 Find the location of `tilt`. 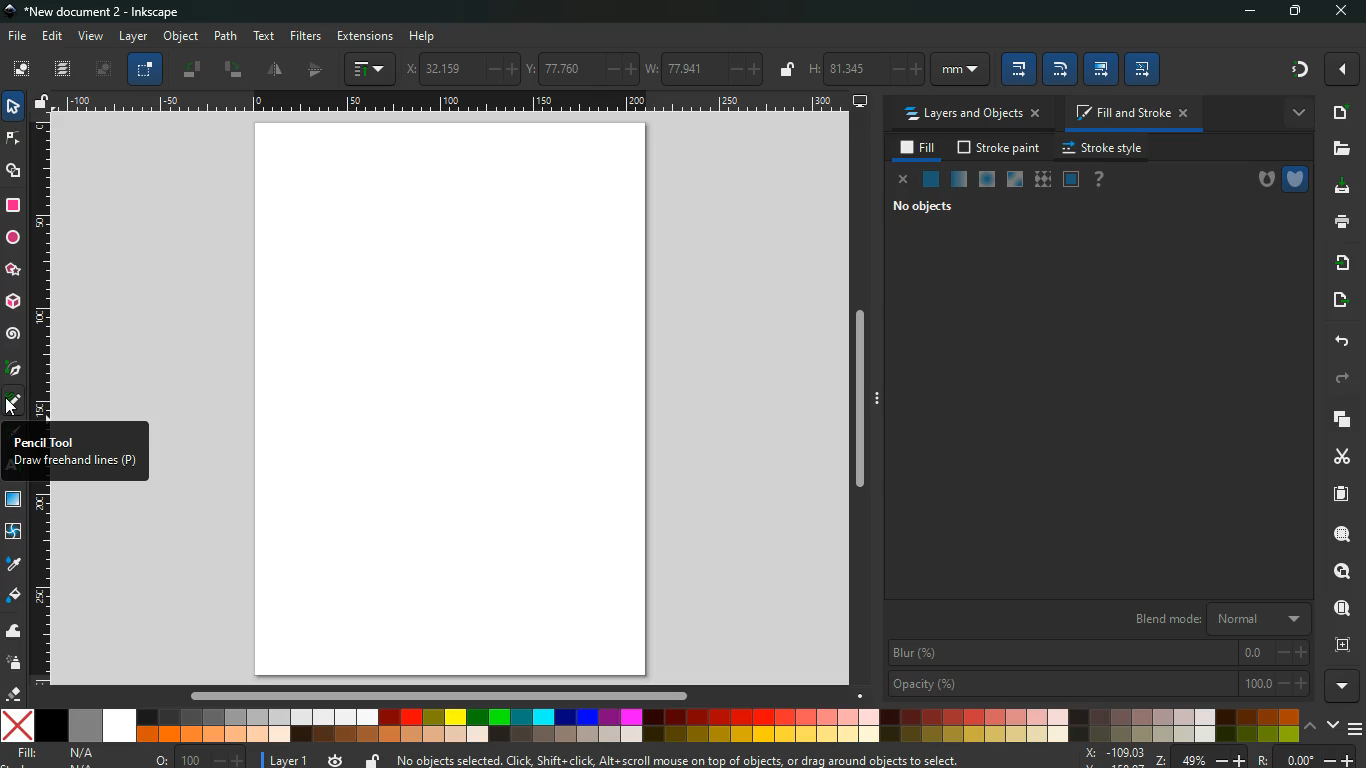

tilt is located at coordinates (192, 68).